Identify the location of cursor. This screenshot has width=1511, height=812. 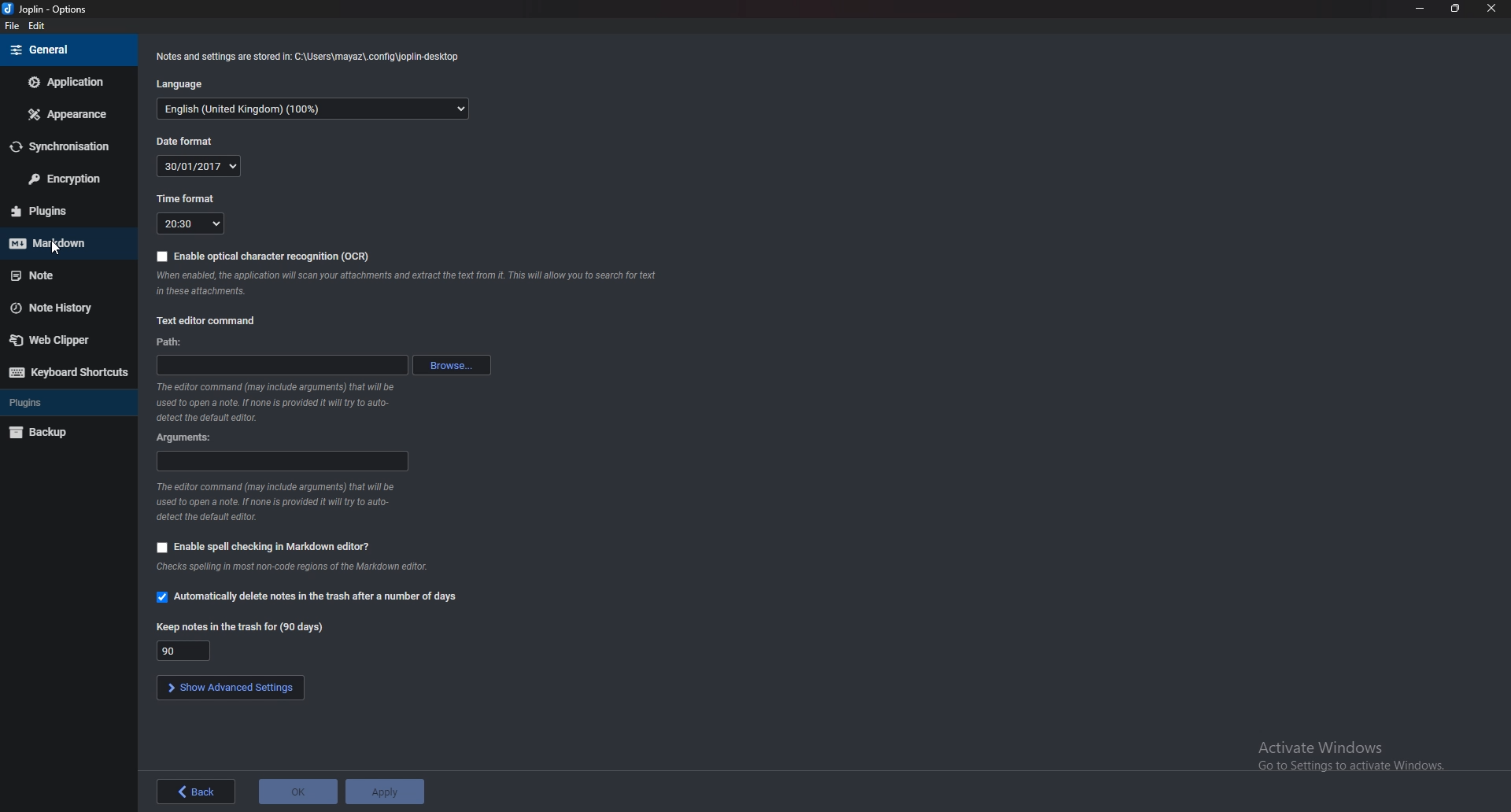
(54, 249).